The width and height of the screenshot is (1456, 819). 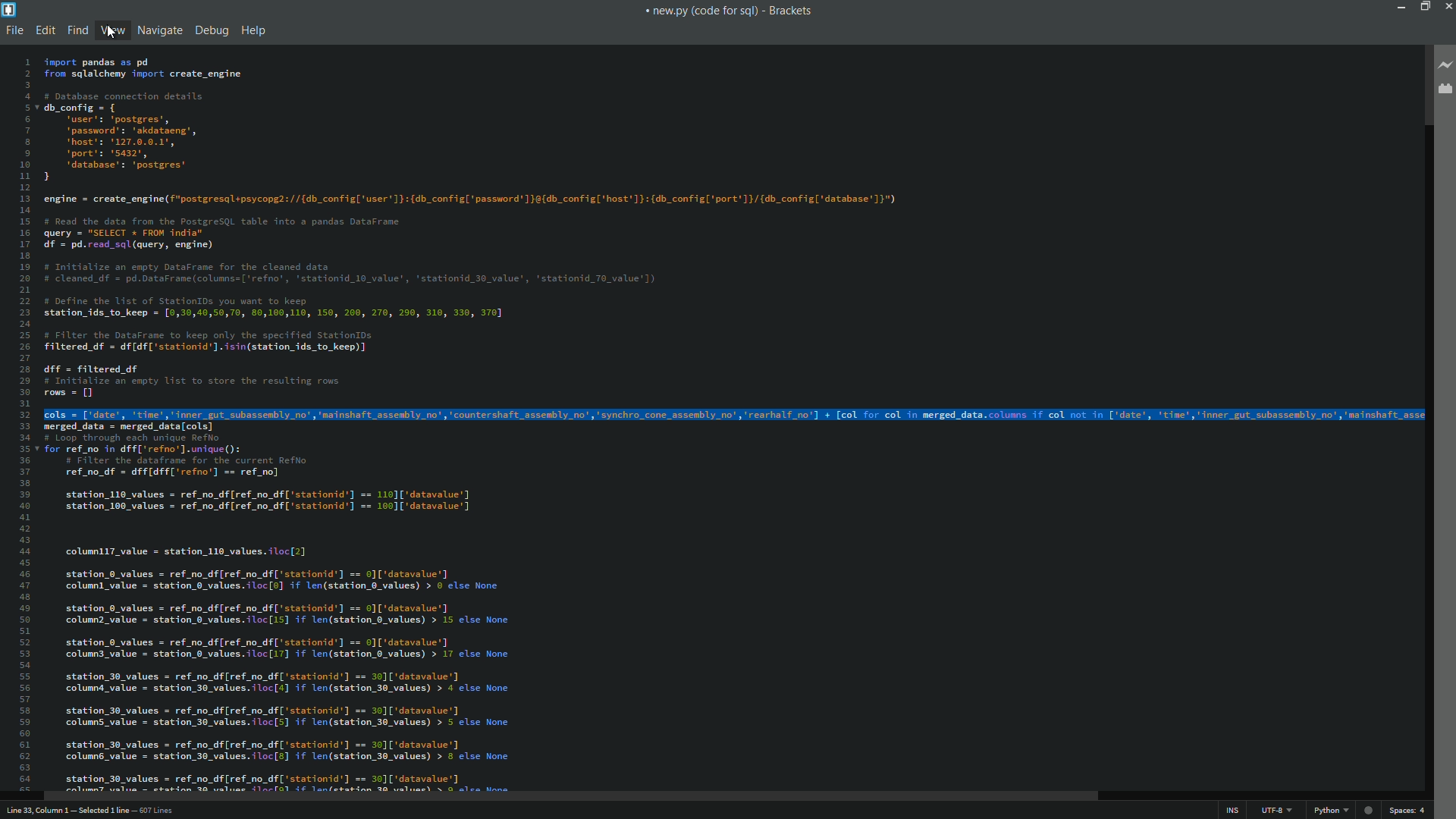 What do you see at coordinates (96, 811) in the screenshot?
I see `cursor position` at bounding box center [96, 811].